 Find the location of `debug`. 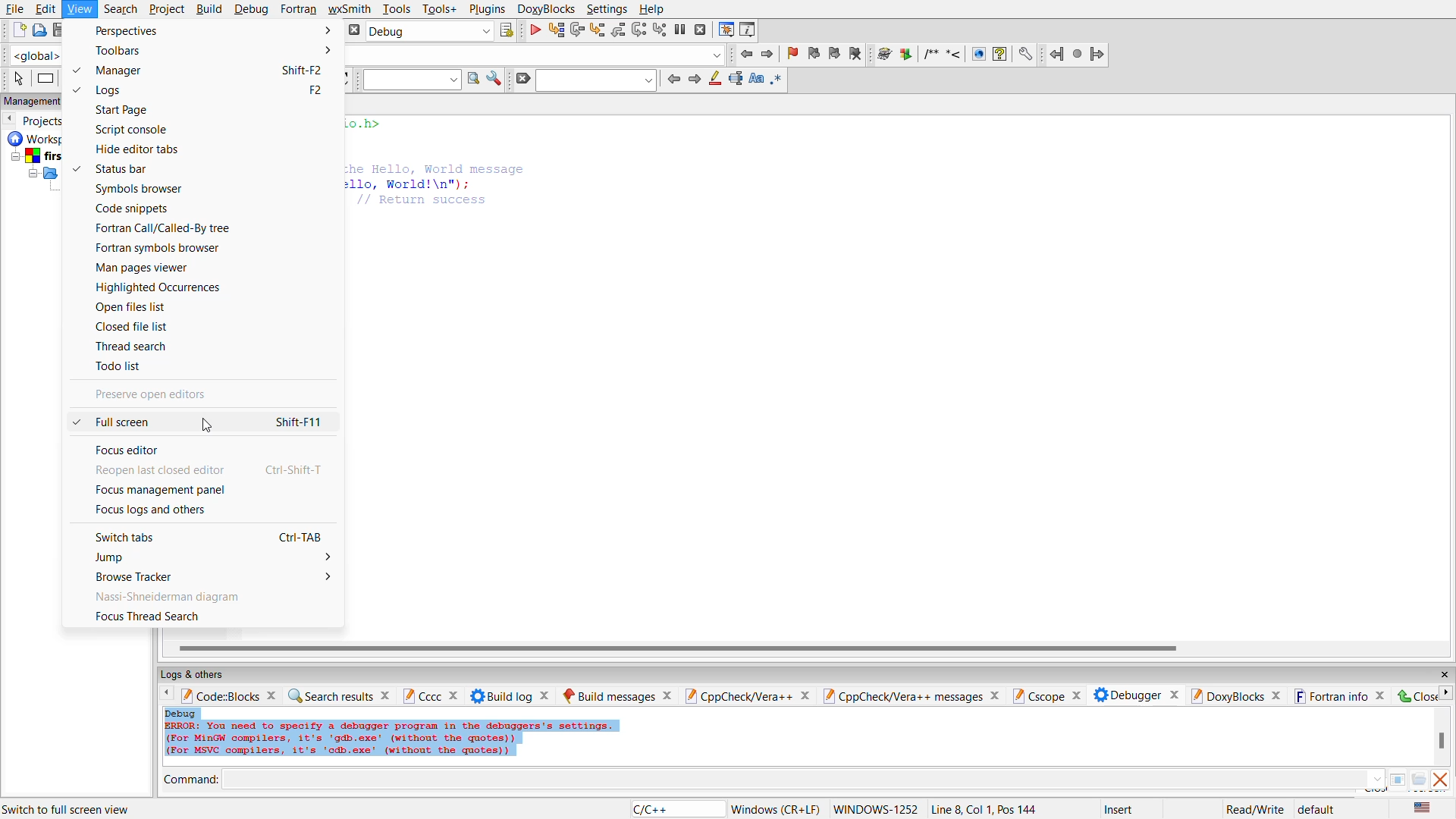

debug is located at coordinates (251, 10).